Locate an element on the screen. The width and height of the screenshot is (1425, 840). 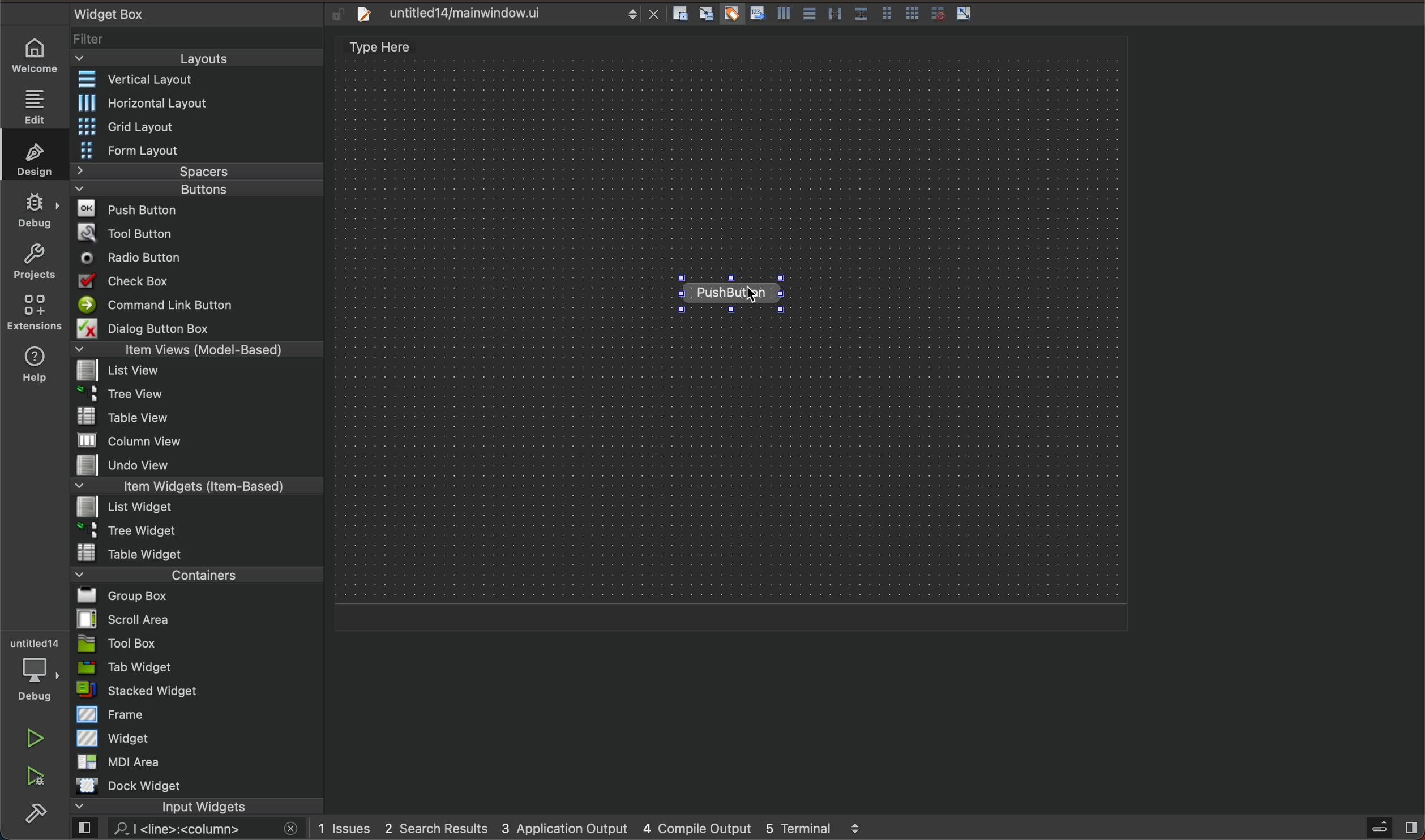
command lin ebutton is located at coordinates (200, 307).